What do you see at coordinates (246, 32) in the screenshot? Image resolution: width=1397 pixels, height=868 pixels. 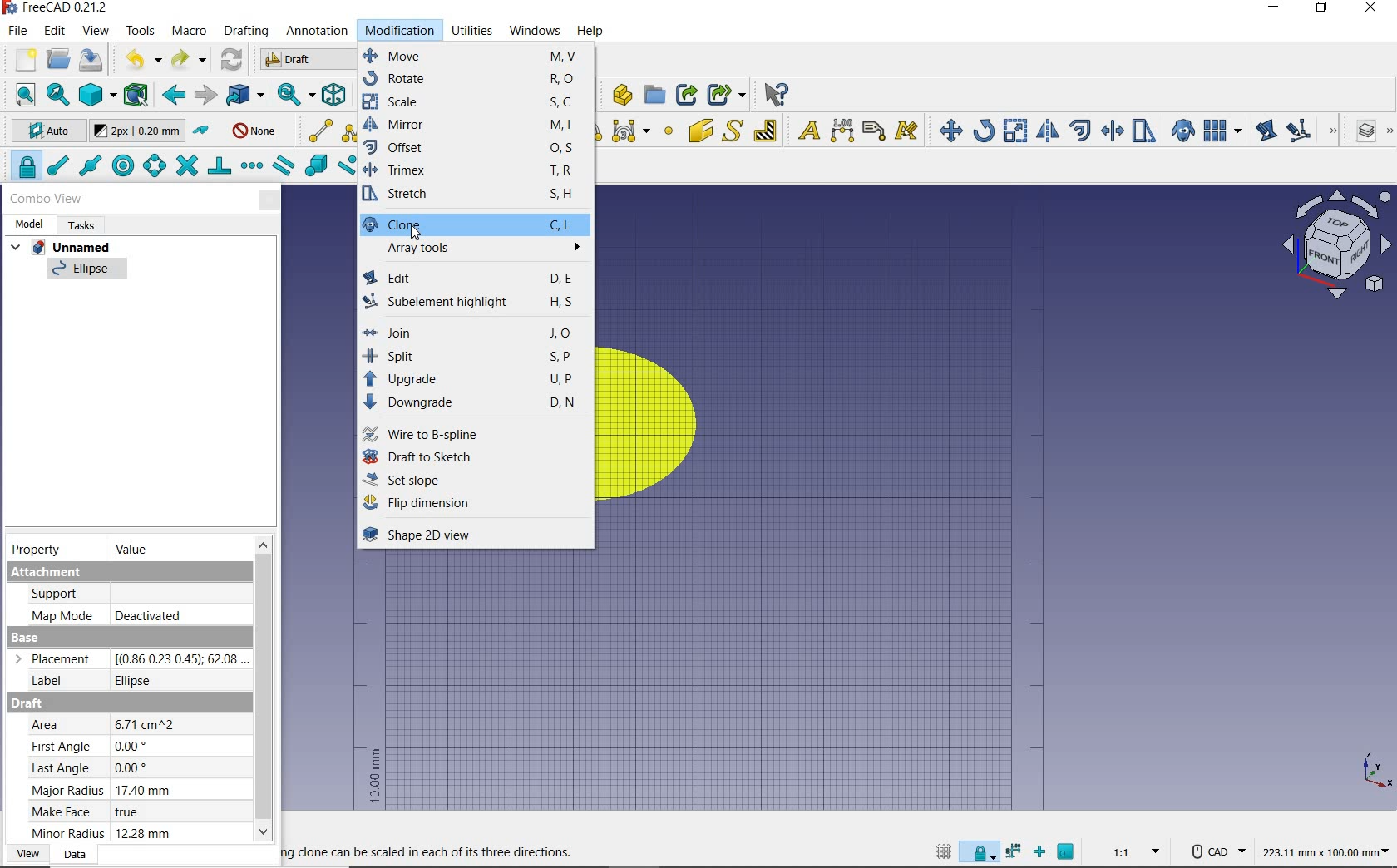 I see `drafting` at bounding box center [246, 32].